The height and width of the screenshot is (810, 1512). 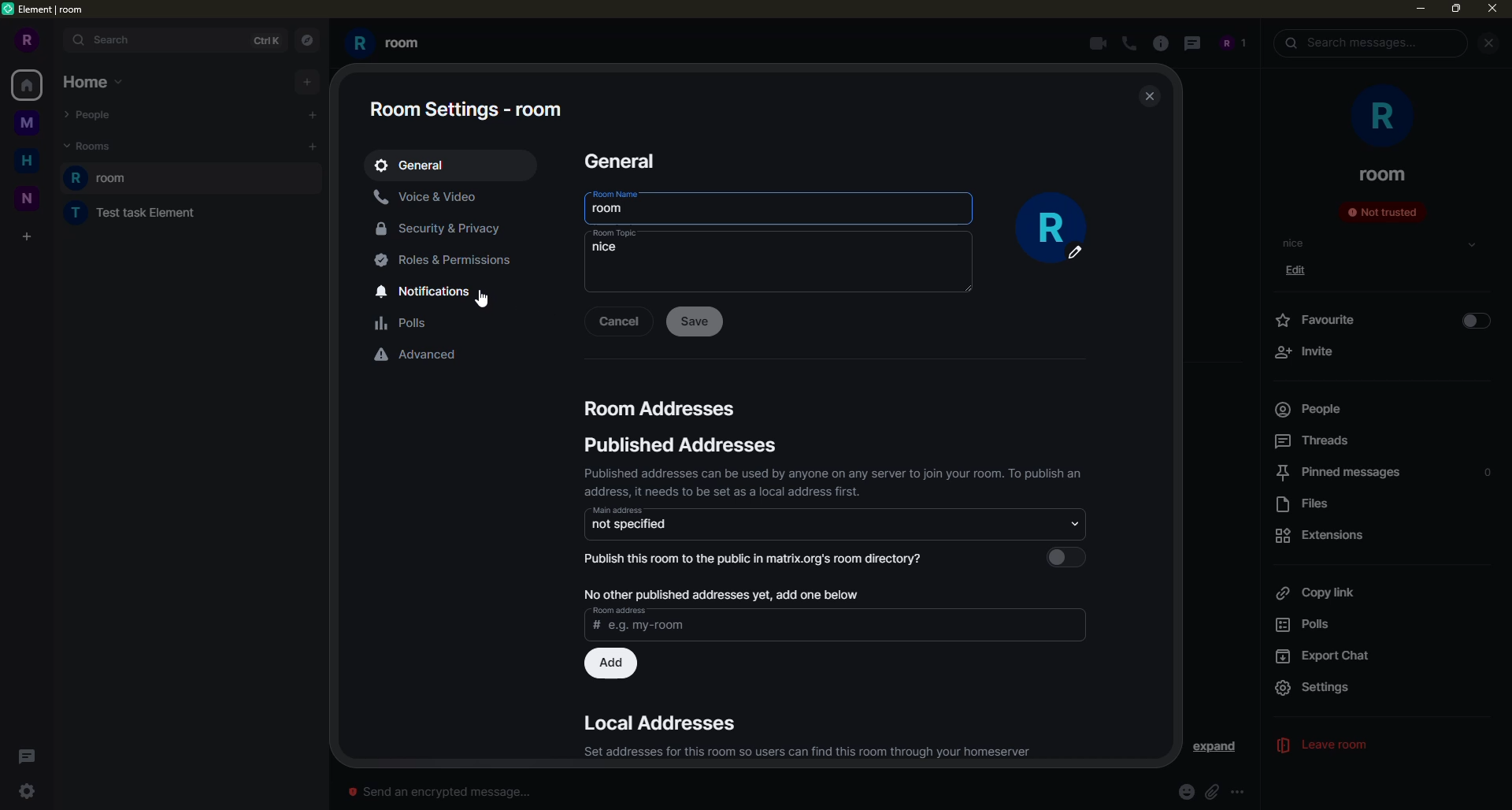 What do you see at coordinates (313, 147) in the screenshot?
I see `add` at bounding box center [313, 147].